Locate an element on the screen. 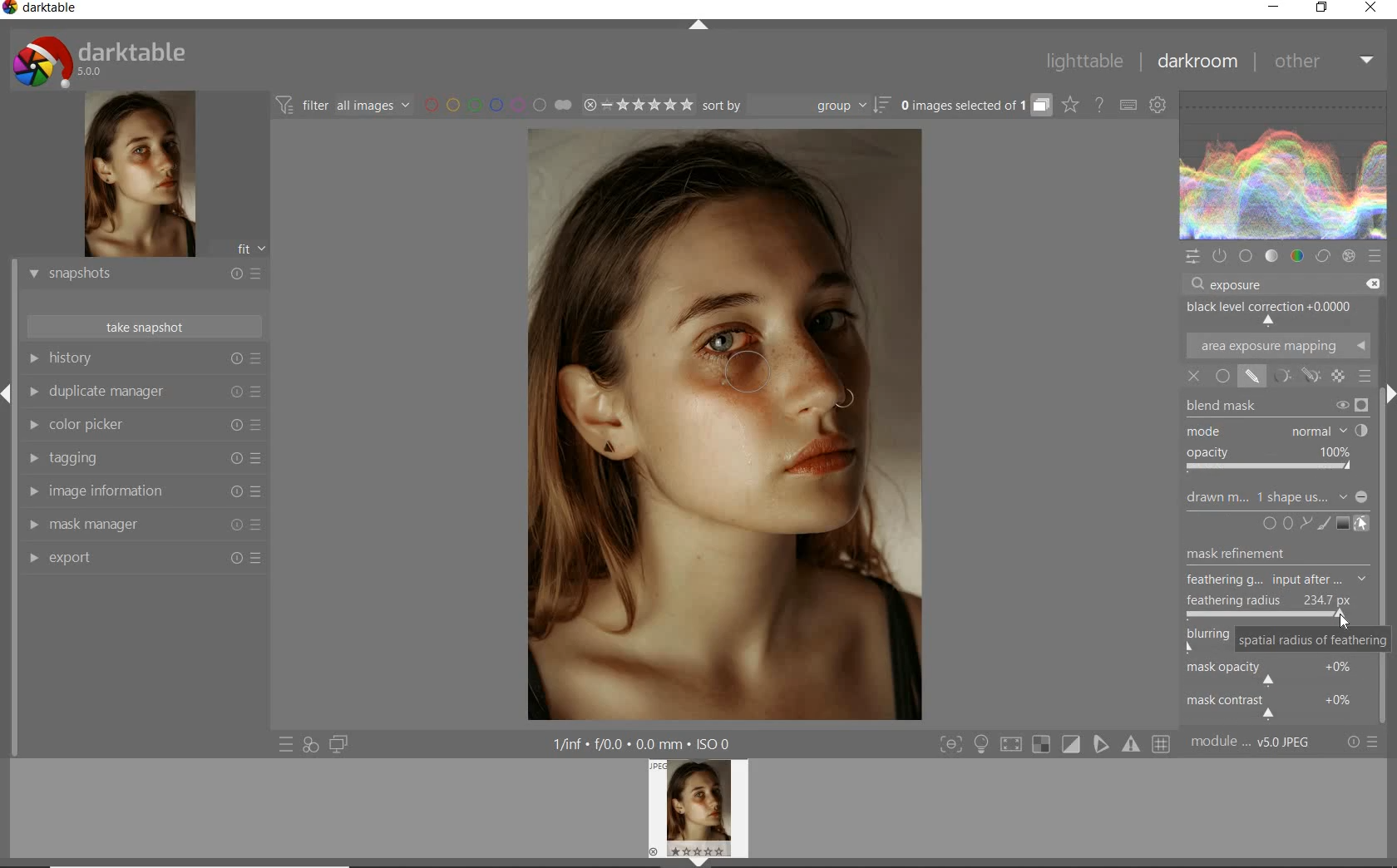  OFF is located at coordinates (1196, 376).